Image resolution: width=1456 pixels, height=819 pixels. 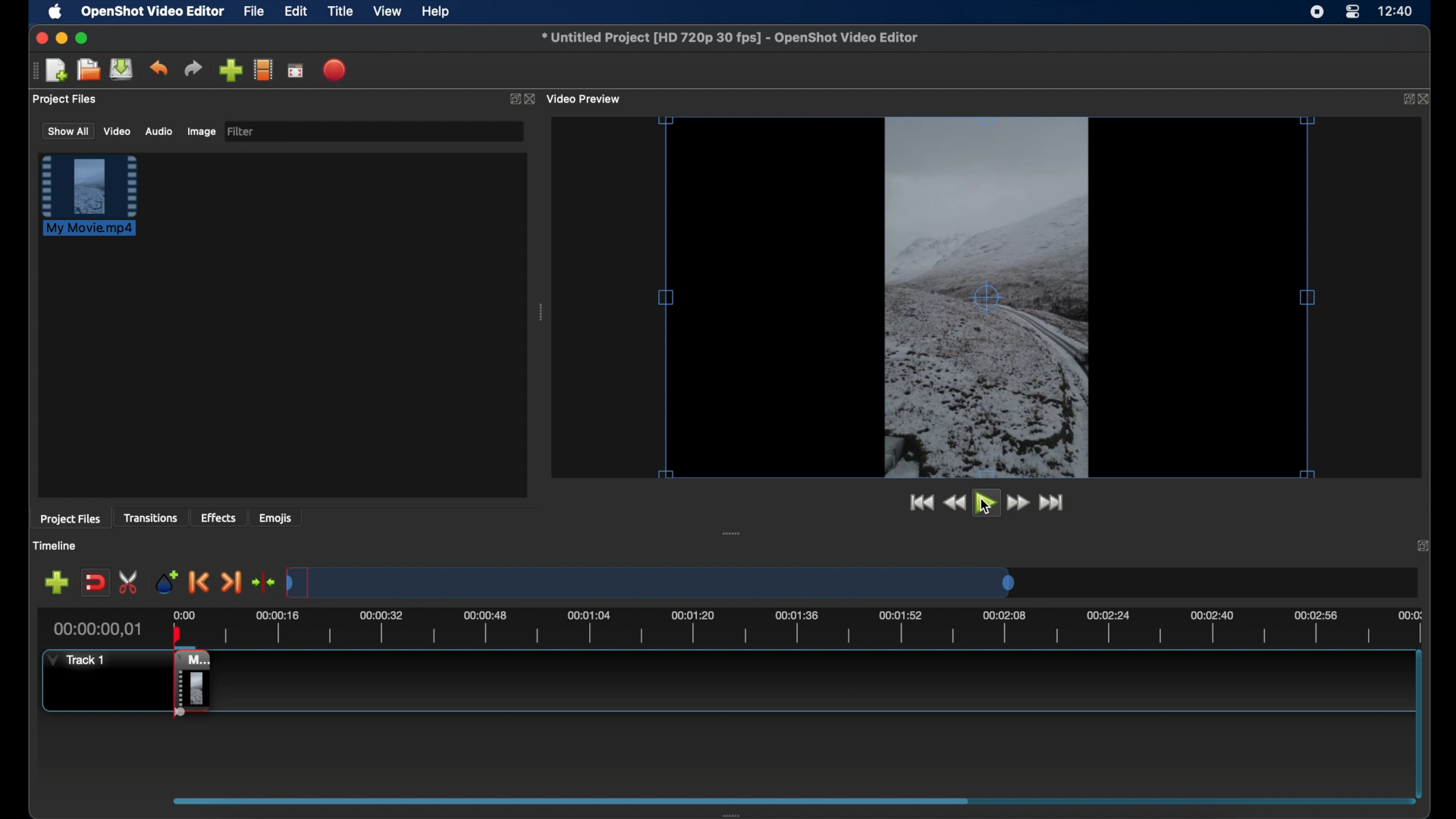 What do you see at coordinates (819, 631) in the screenshot?
I see `timeline scale` at bounding box center [819, 631].